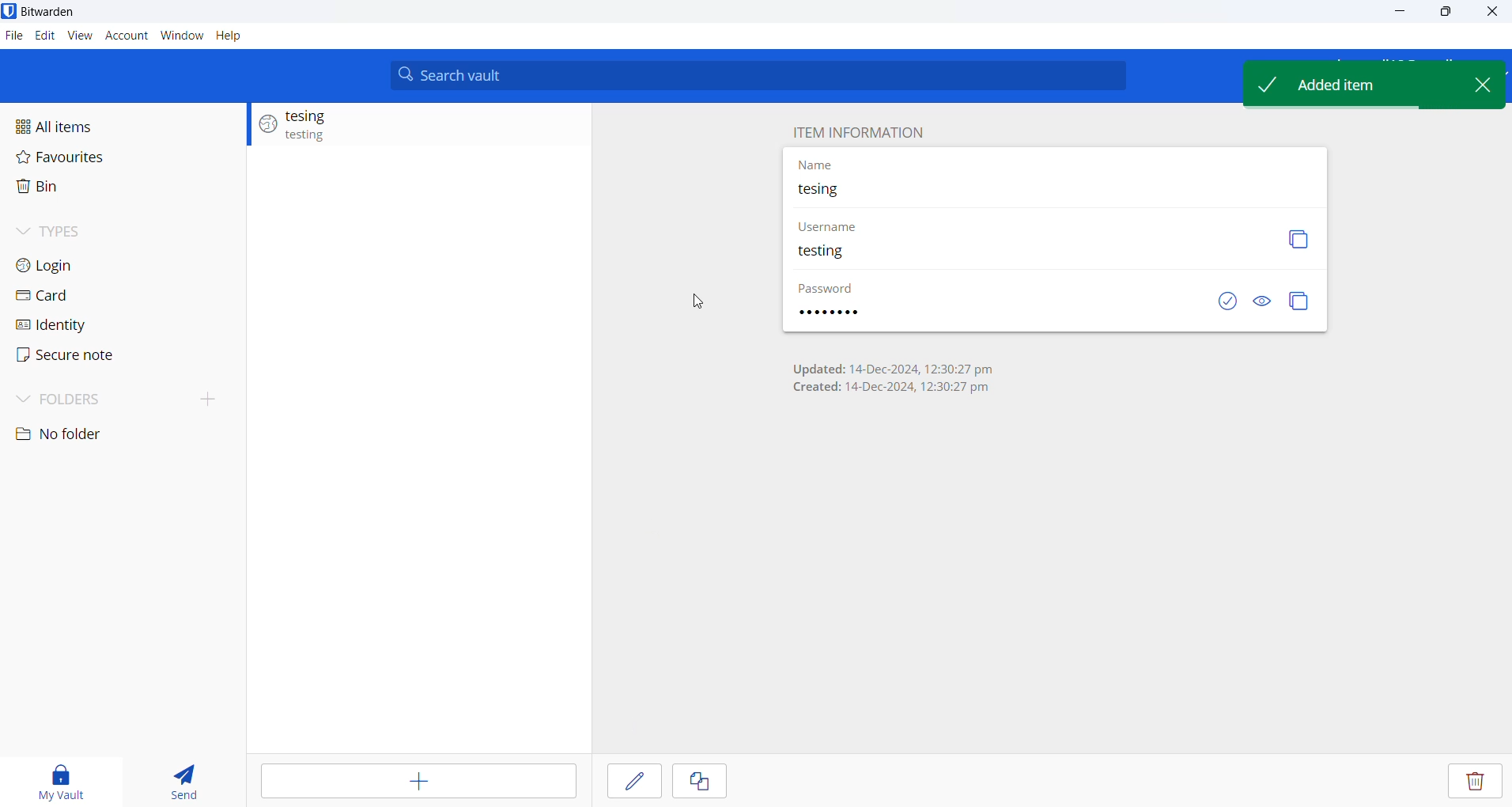 This screenshot has width=1512, height=807. What do you see at coordinates (705, 298) in the screenshot?
I see `cursor` at bounding box center [705, 298].